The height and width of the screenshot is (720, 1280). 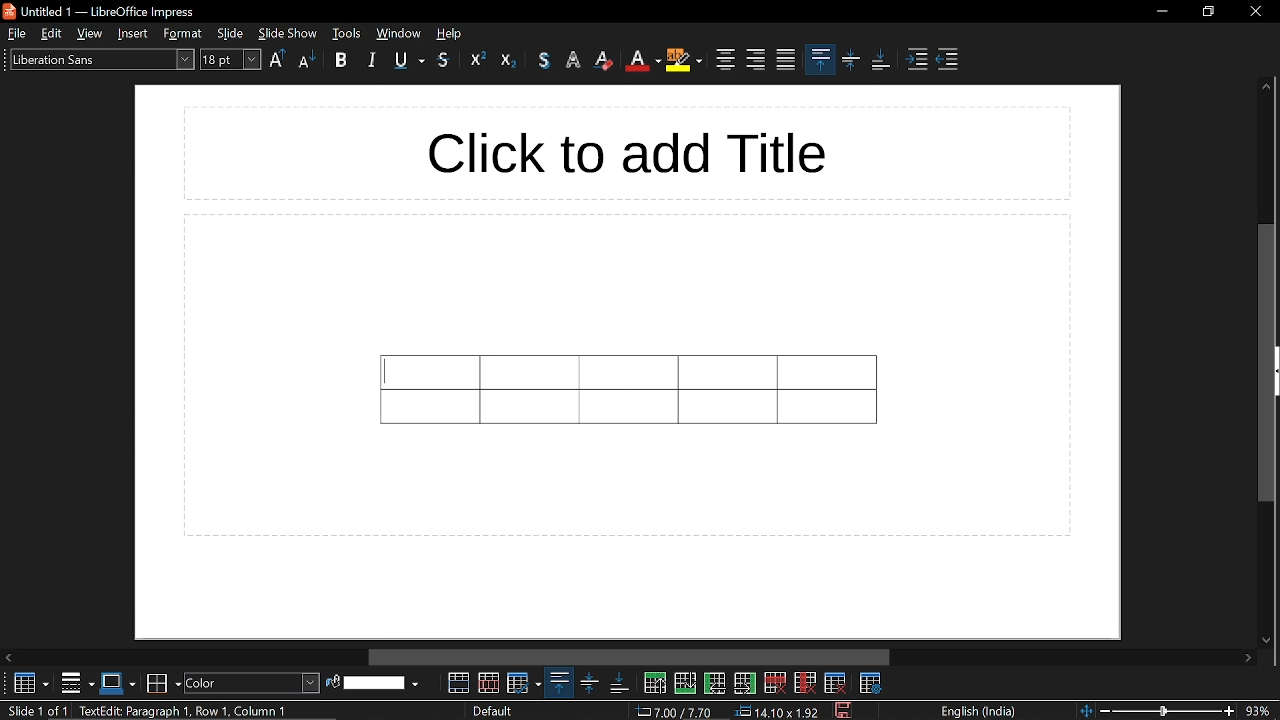 I want to click on bold, so click(x=341, y=59).